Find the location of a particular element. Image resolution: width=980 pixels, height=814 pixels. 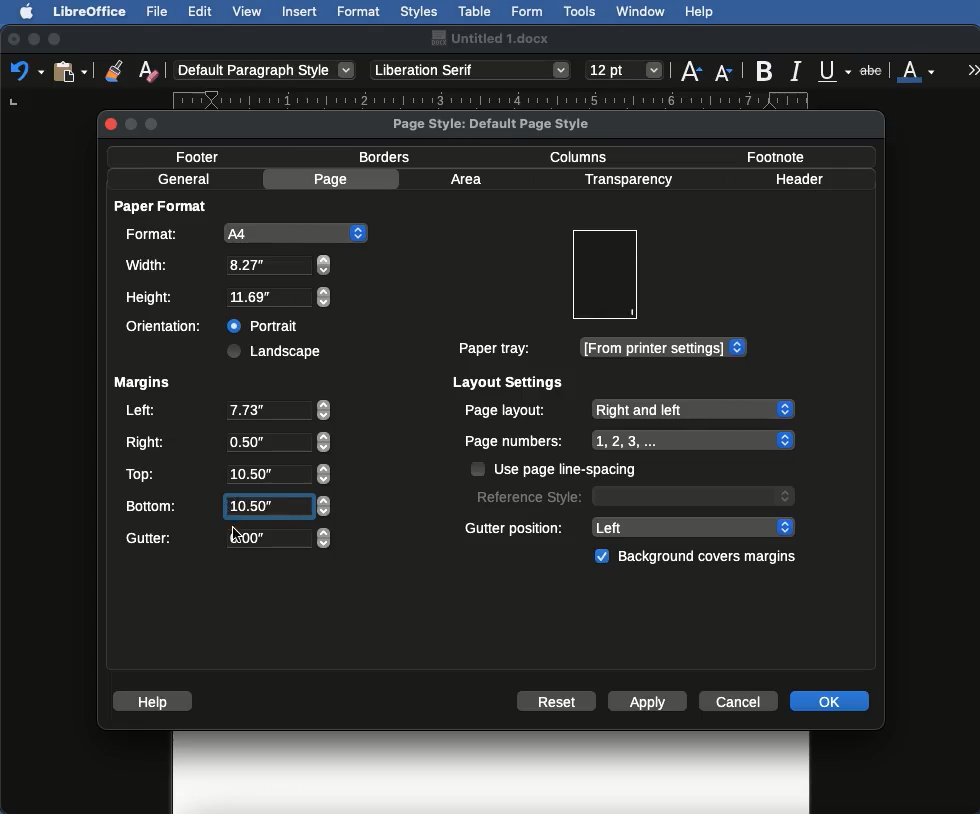

Left is located at coordinates (226, 412).